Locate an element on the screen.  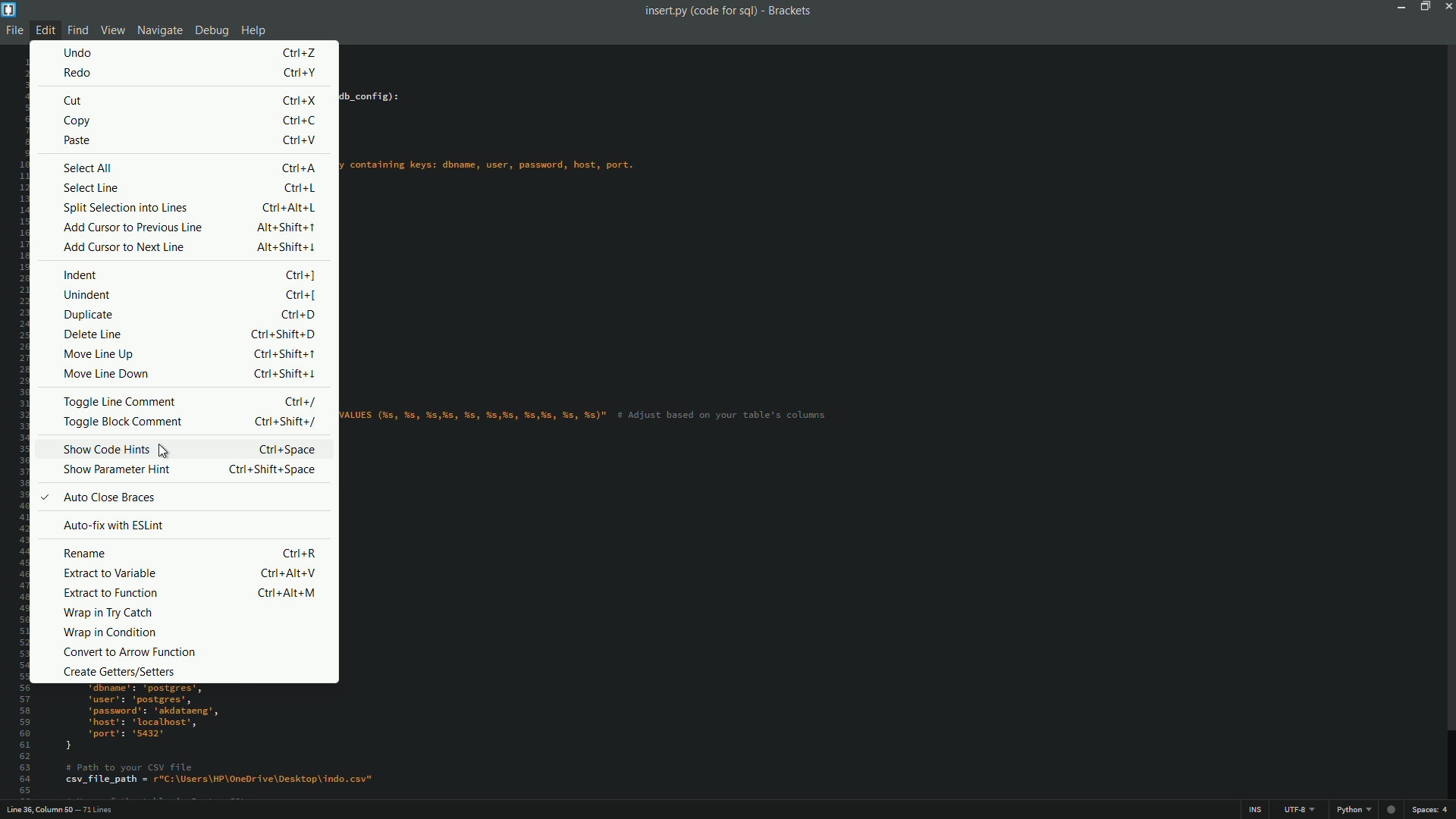
file encoding is located at coordinates (1301, 810).